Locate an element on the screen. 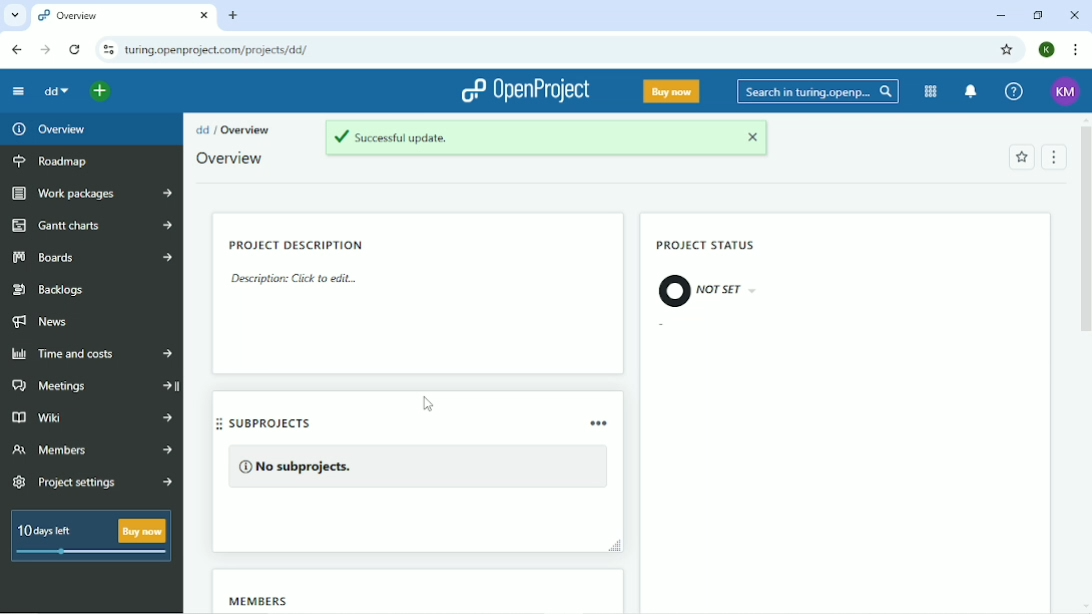  Cursor is located at coordinates (428, 402).